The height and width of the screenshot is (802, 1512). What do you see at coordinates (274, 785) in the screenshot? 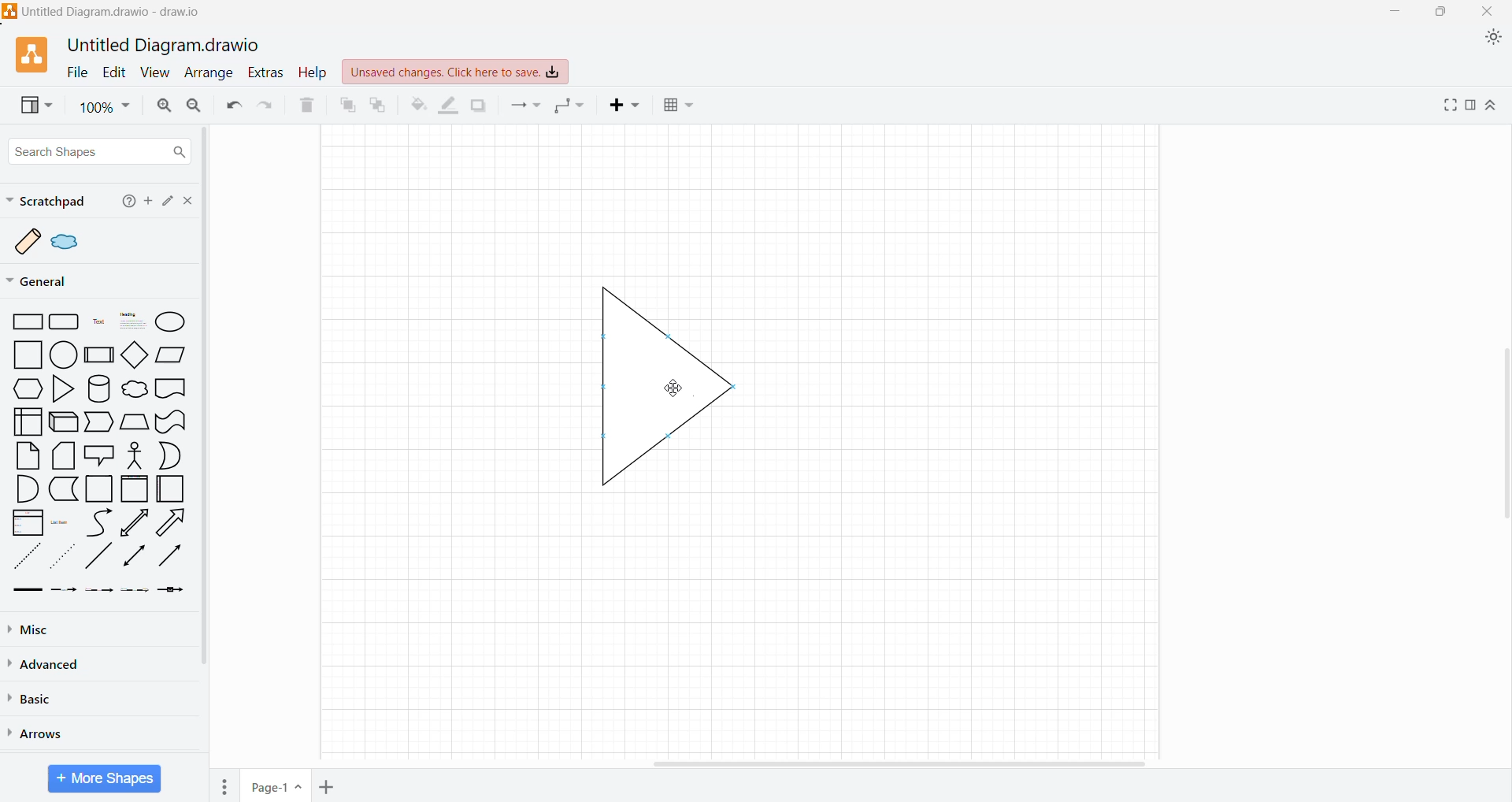
I see `Page-1` at bounding box center [274, 785].